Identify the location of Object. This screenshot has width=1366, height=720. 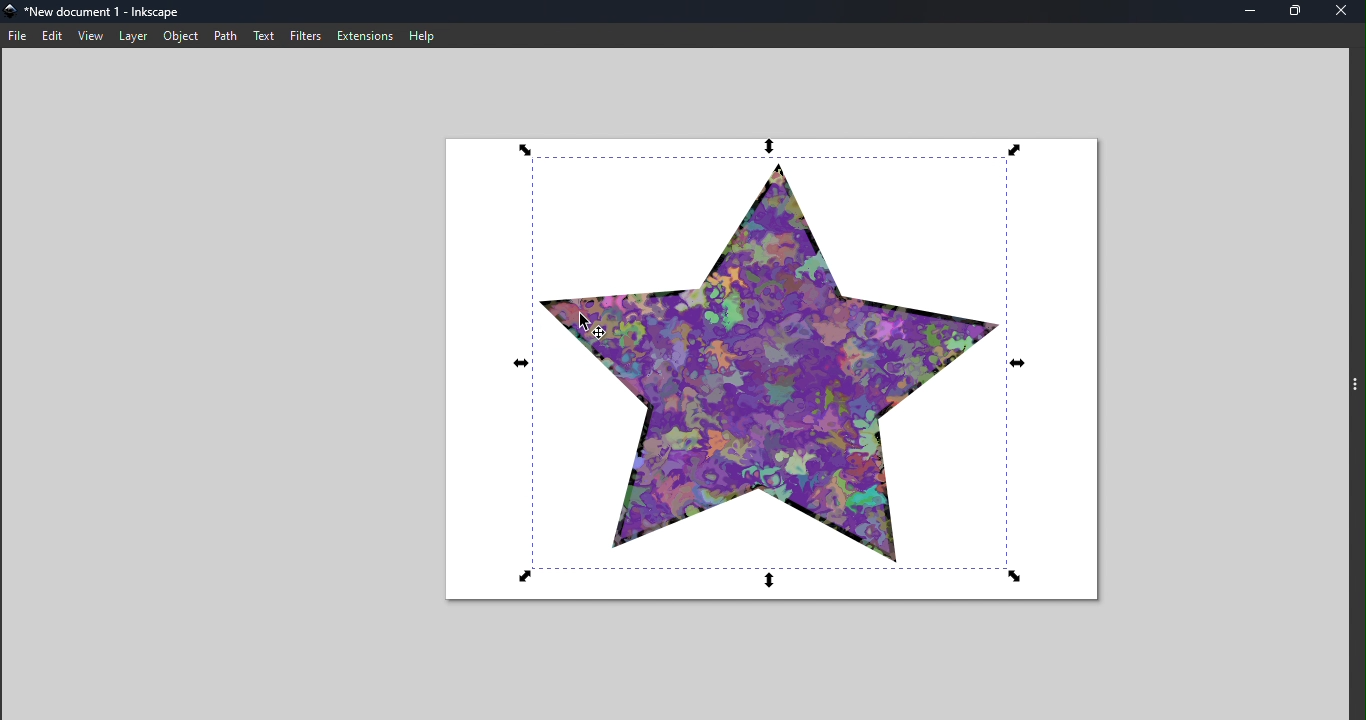
(179, 35).